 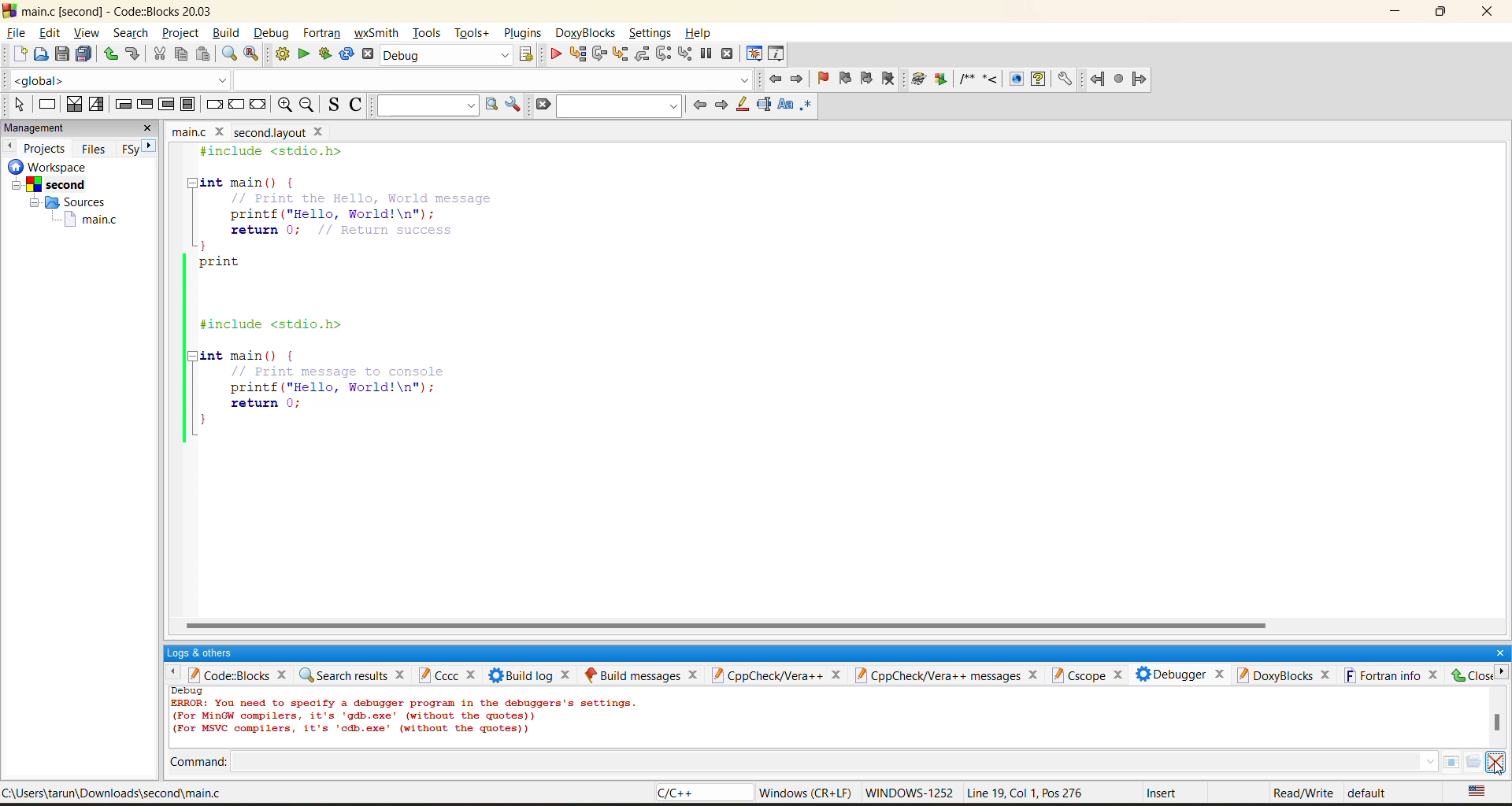 What do you see at coordinates (321, 33) in the screenshot?
I see `fortran` at bounding box center [321, 33].